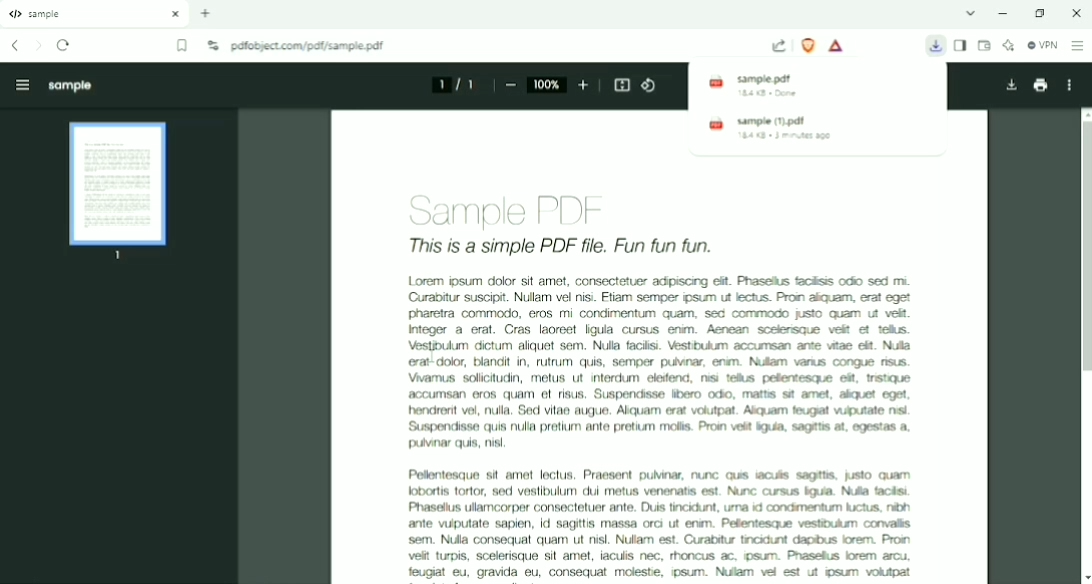 This screenshot has height=584, width=1092. What do you see at coordinates (779, 46) in the screenshot?
I see `Share this page` at bounding box center [779, 46].